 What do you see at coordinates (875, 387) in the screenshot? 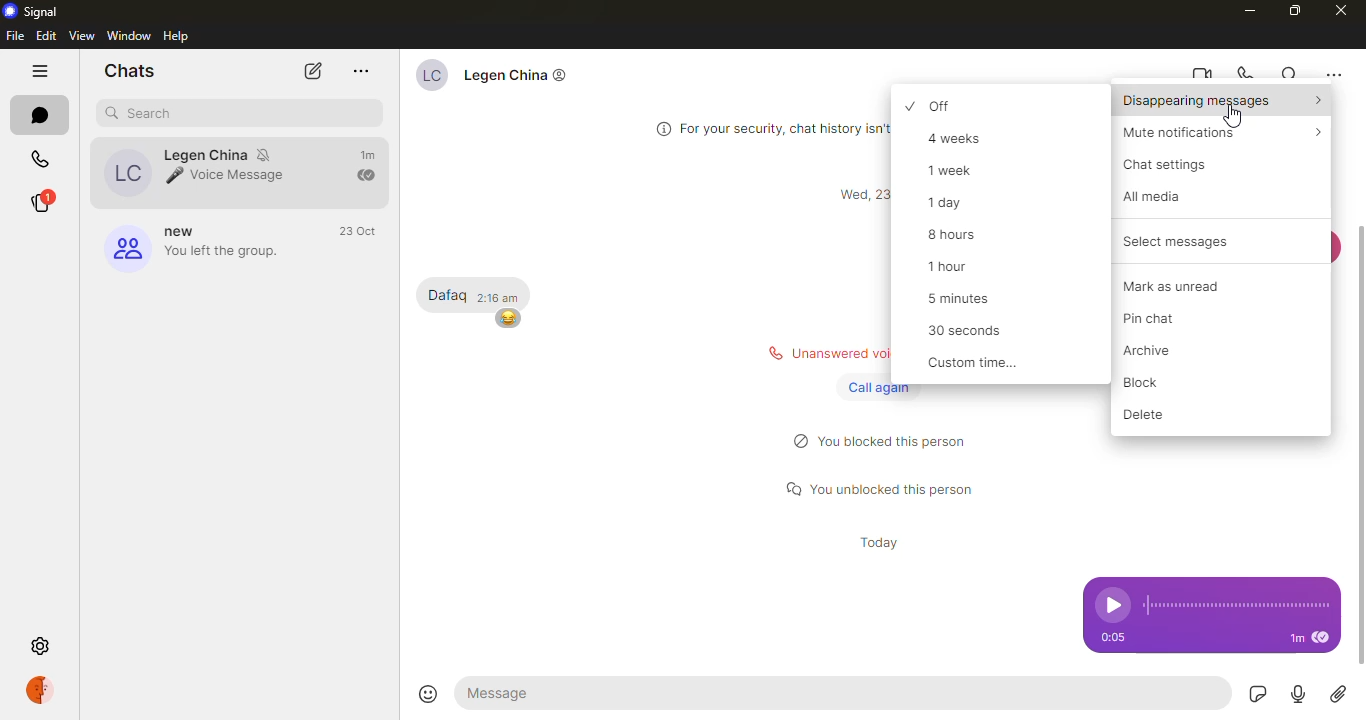
I see `call again` at bounding box center [875, 387].